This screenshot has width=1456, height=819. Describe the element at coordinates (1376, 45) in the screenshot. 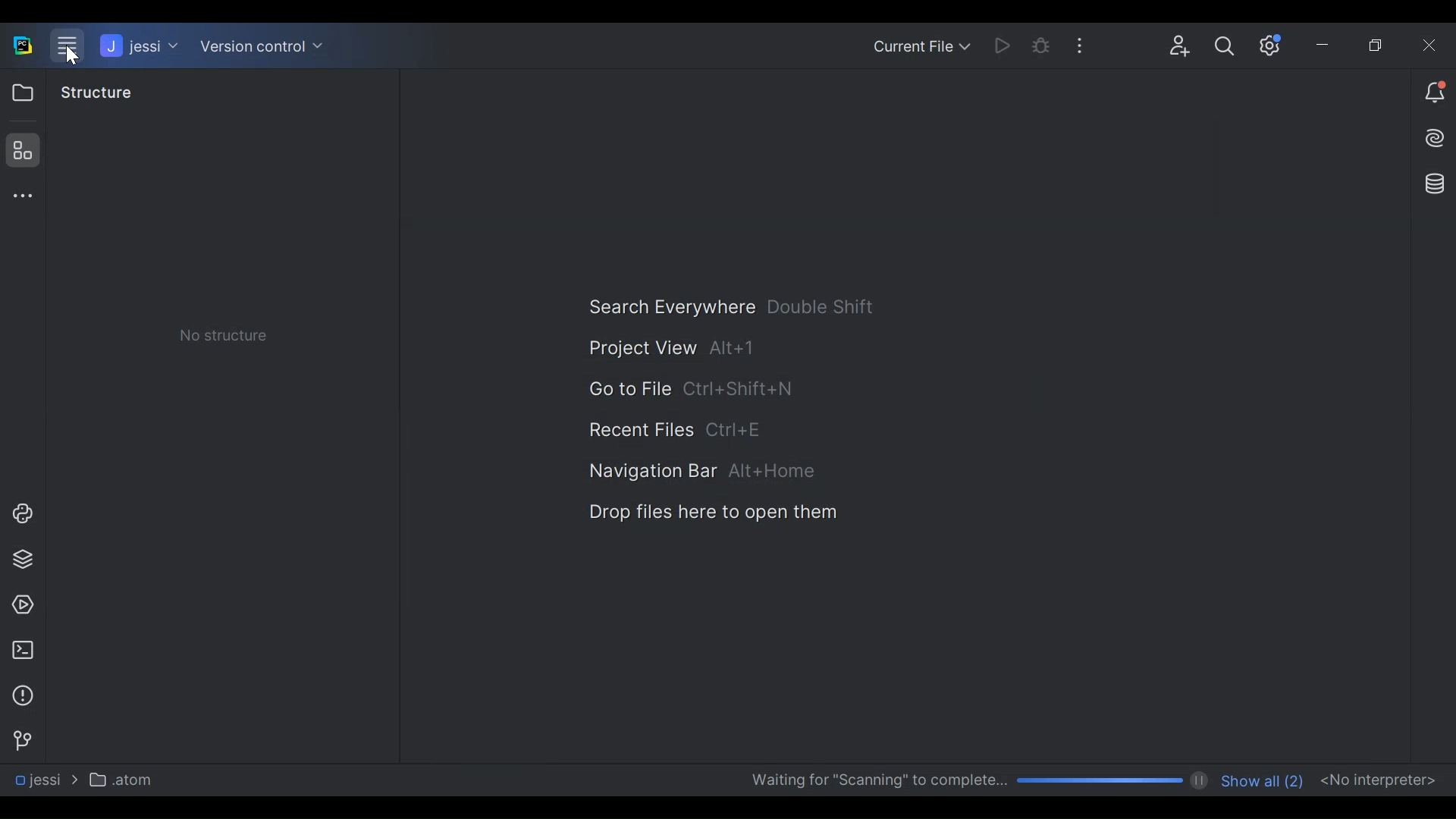

I see `Restore` at that location.